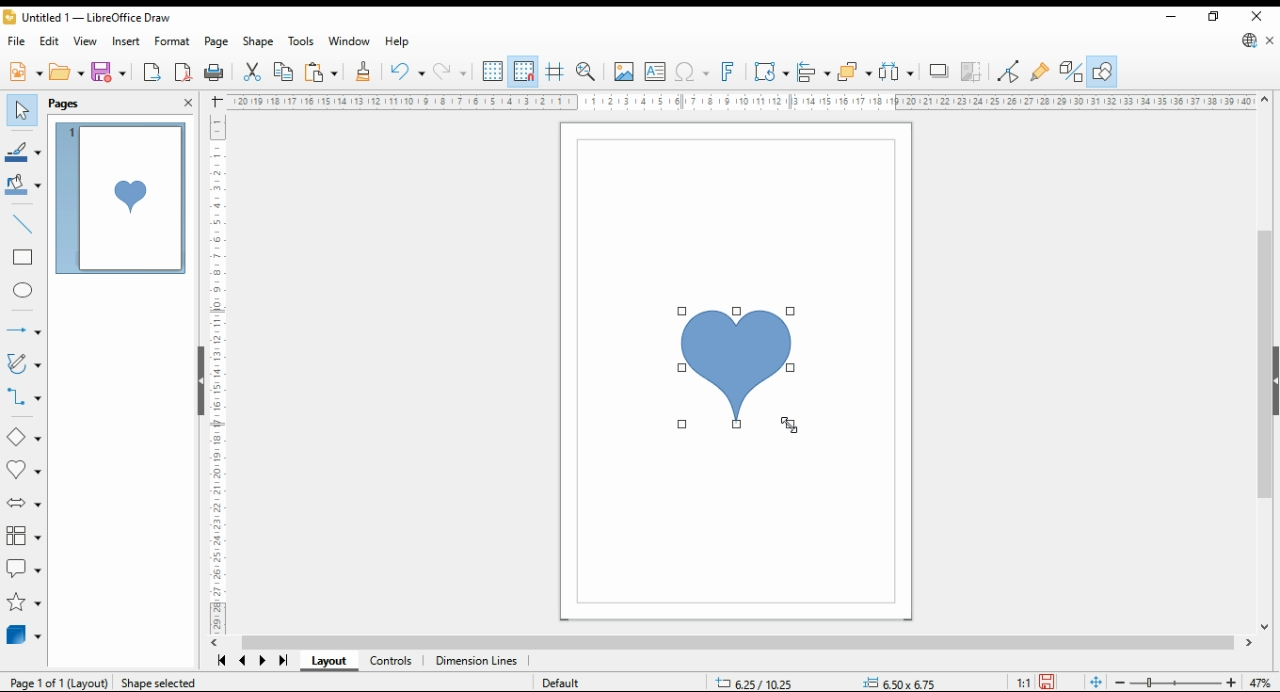 Image resolution: width=1280 pixels, height=692 pixels. Describe the element at coordinates (264, 663) in the screenshot. I see `next page` at that location.